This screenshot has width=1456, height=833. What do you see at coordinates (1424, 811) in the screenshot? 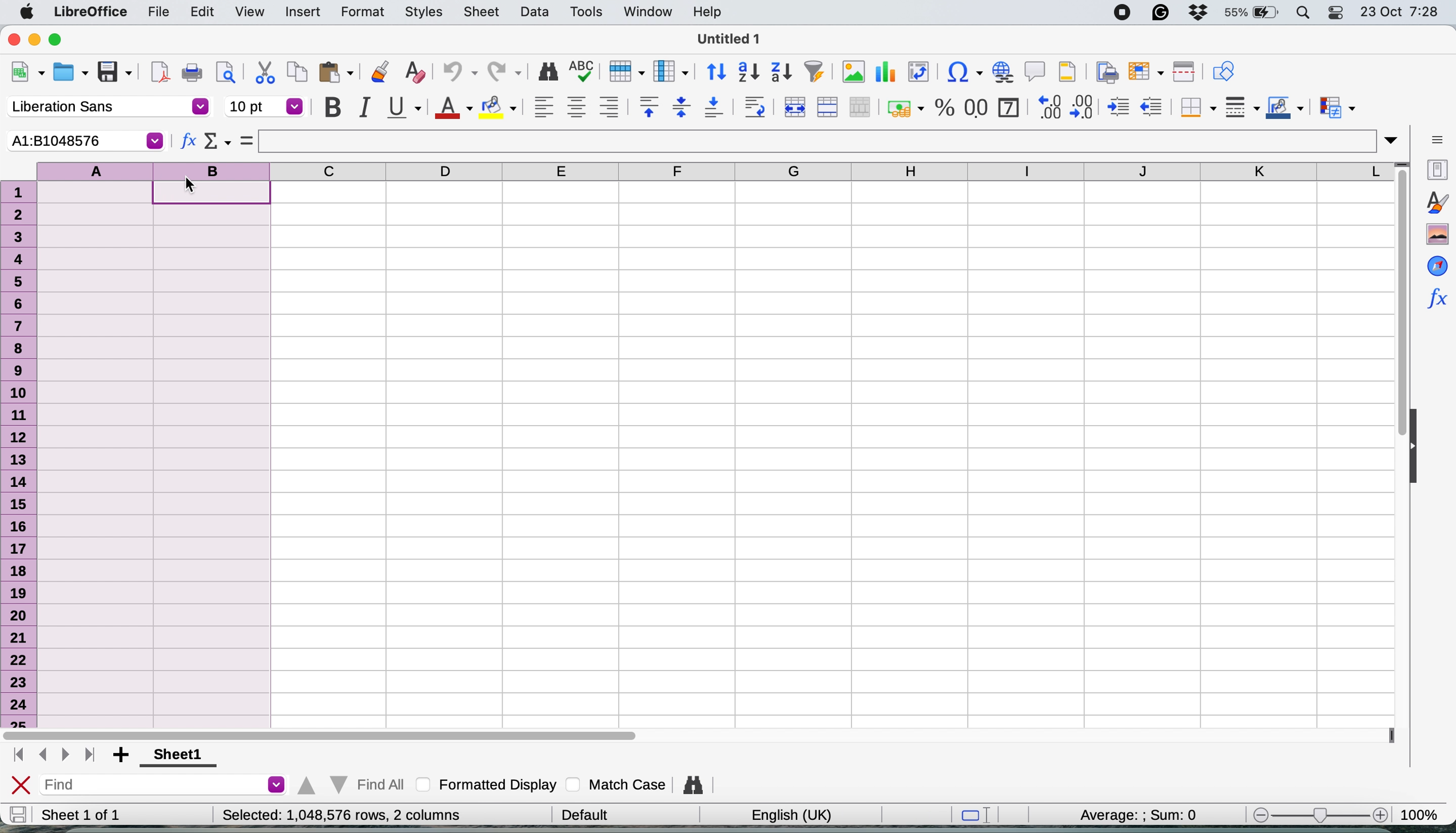
I see `zoom factor` at bounding box center [1424, 811].